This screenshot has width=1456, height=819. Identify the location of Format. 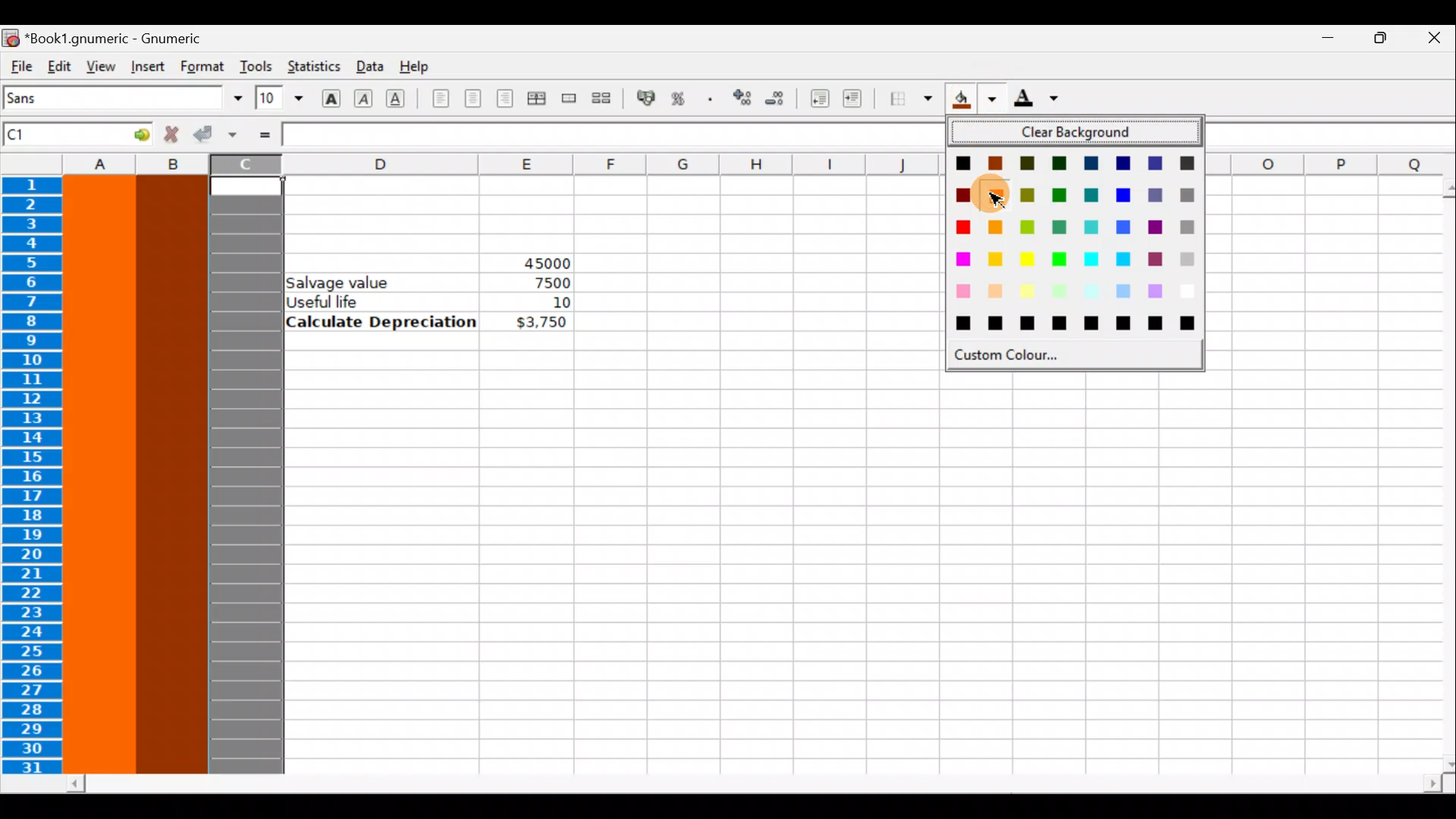
(204, 66).